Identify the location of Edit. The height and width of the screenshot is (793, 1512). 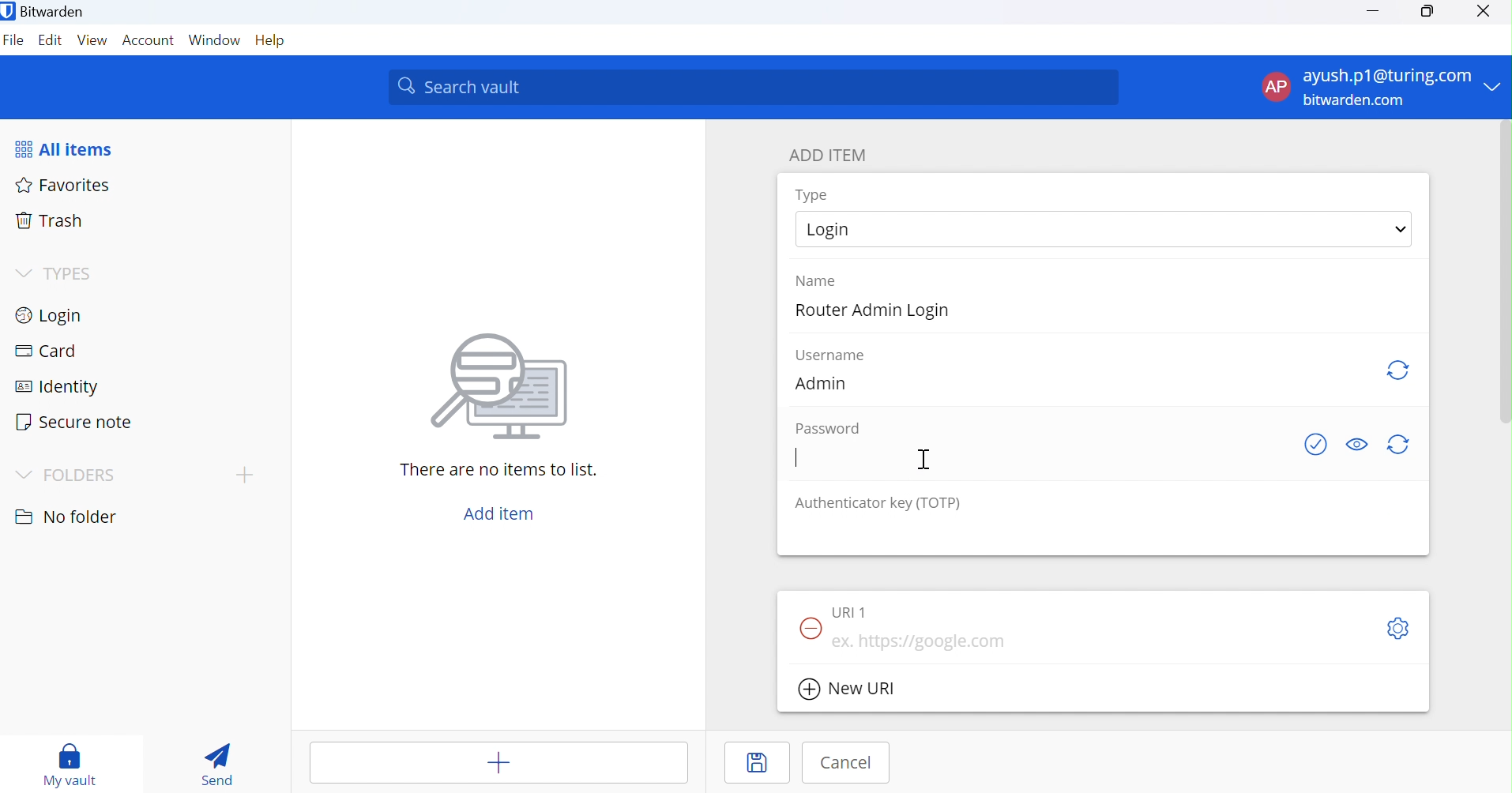
(52, 42).